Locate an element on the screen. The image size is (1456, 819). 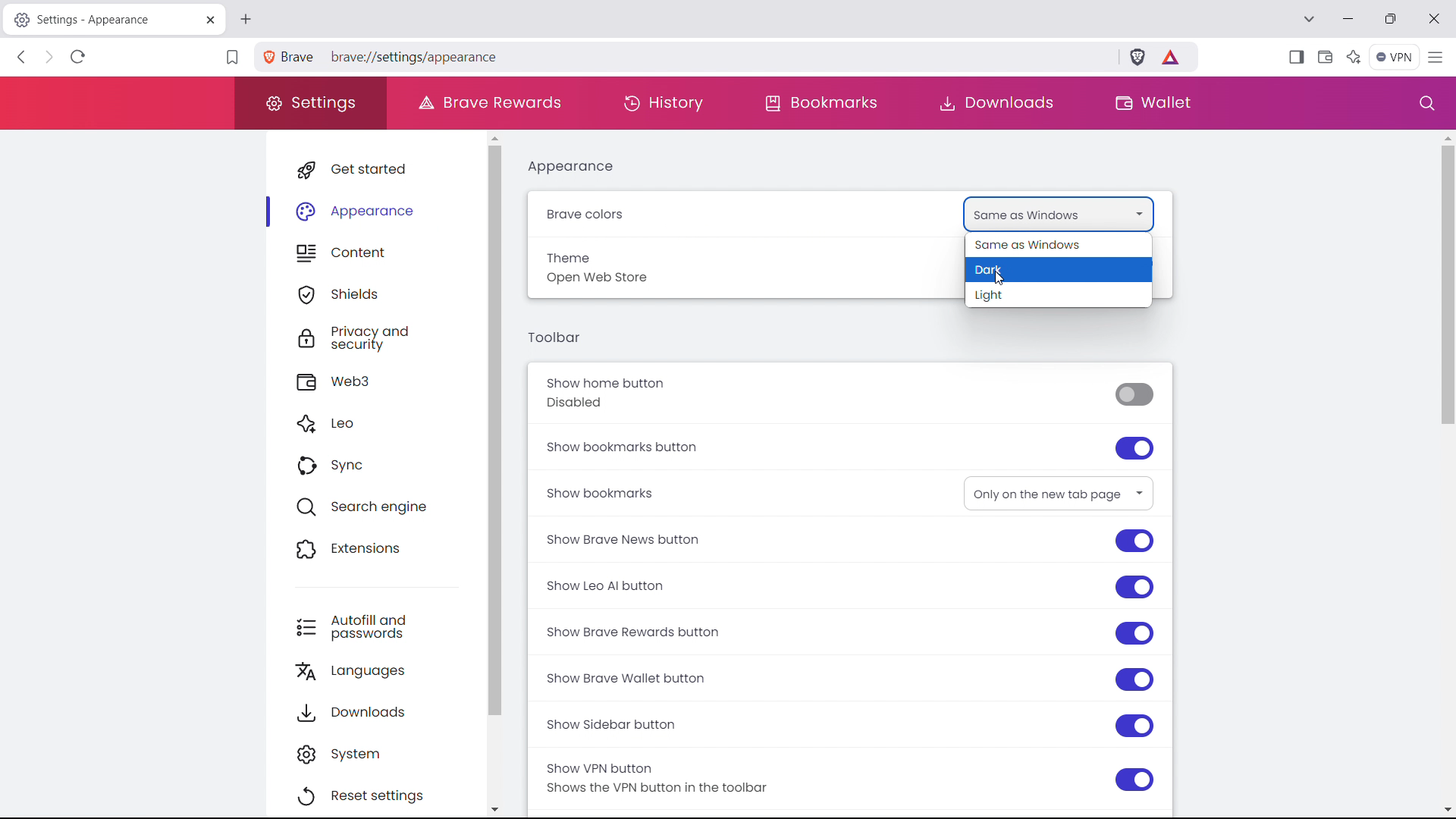
maximize is located at coordinates (1392, 19).